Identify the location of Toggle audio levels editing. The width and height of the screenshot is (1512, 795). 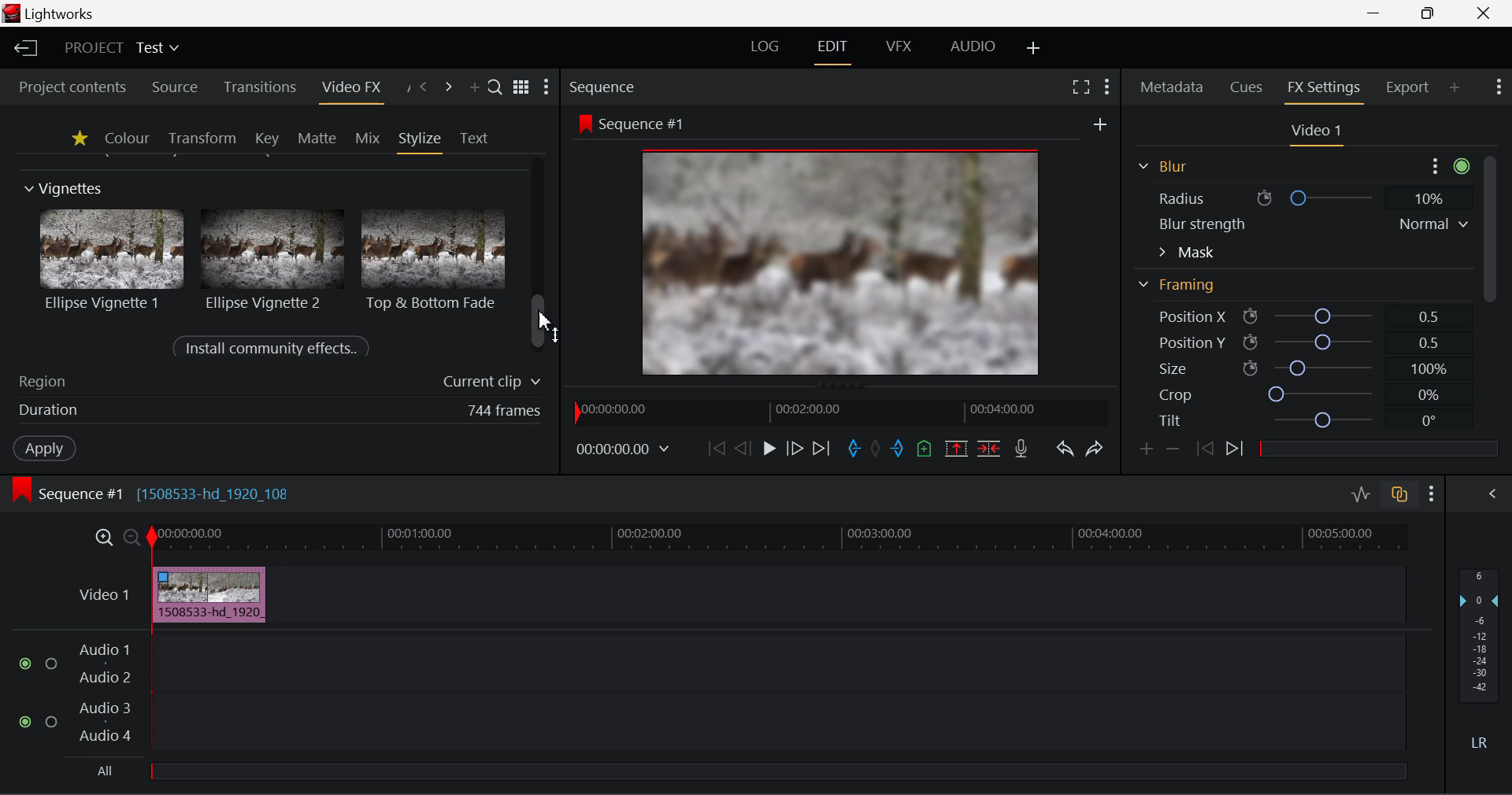
(1360, 493).